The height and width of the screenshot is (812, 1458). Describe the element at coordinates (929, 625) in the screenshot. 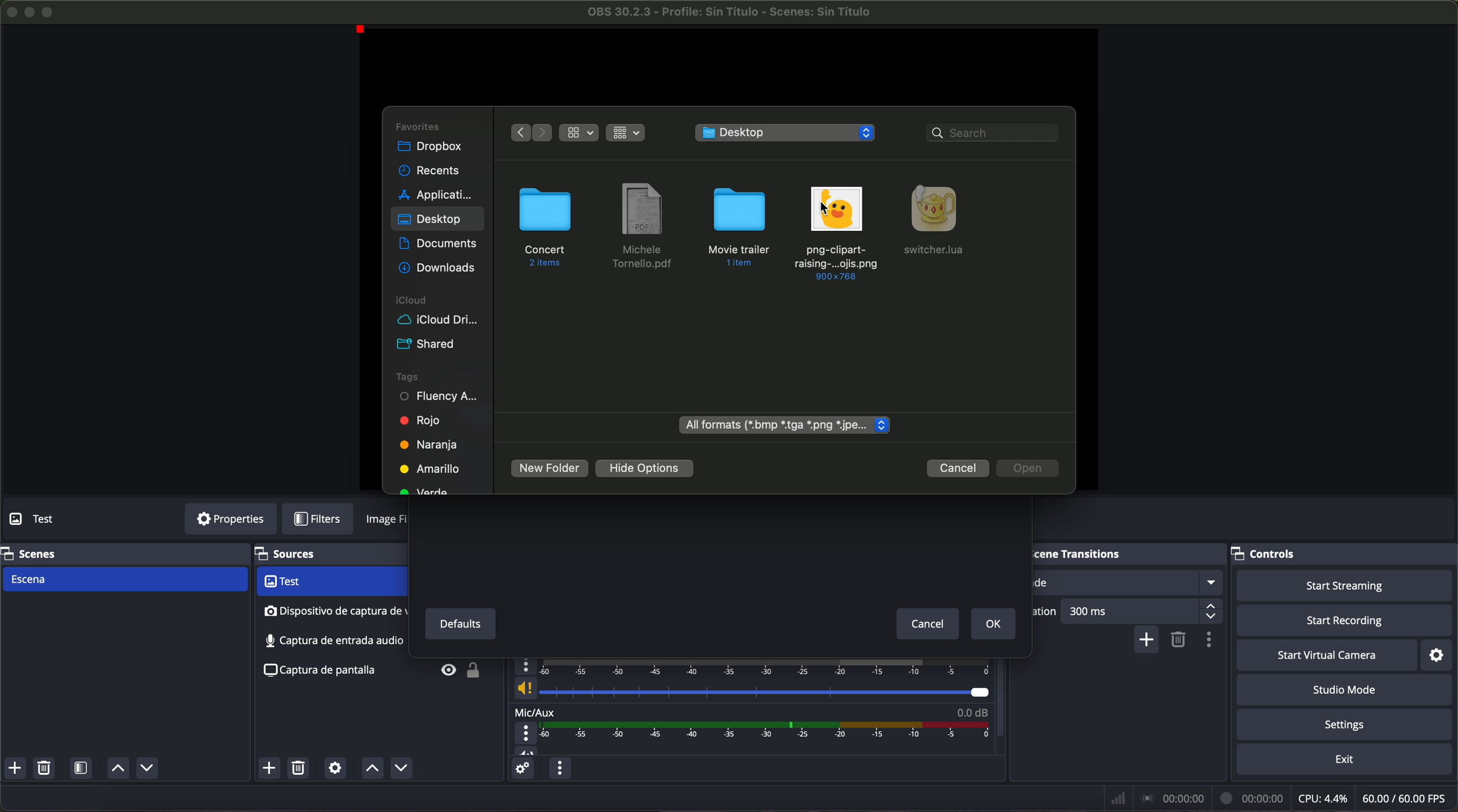

I see `cancel` at that location.